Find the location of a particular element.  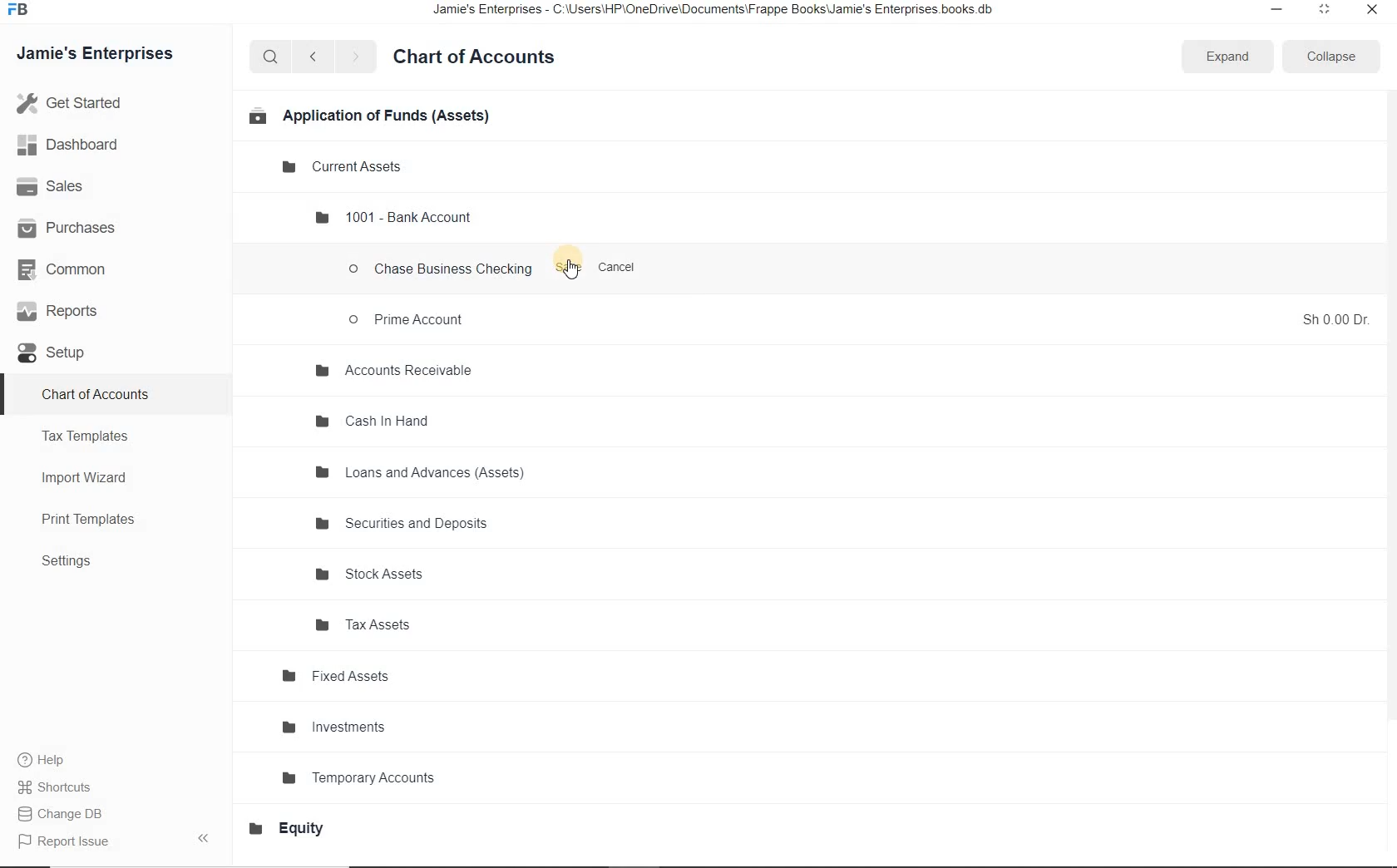

Report Issue is located at coordinates (68, 842).